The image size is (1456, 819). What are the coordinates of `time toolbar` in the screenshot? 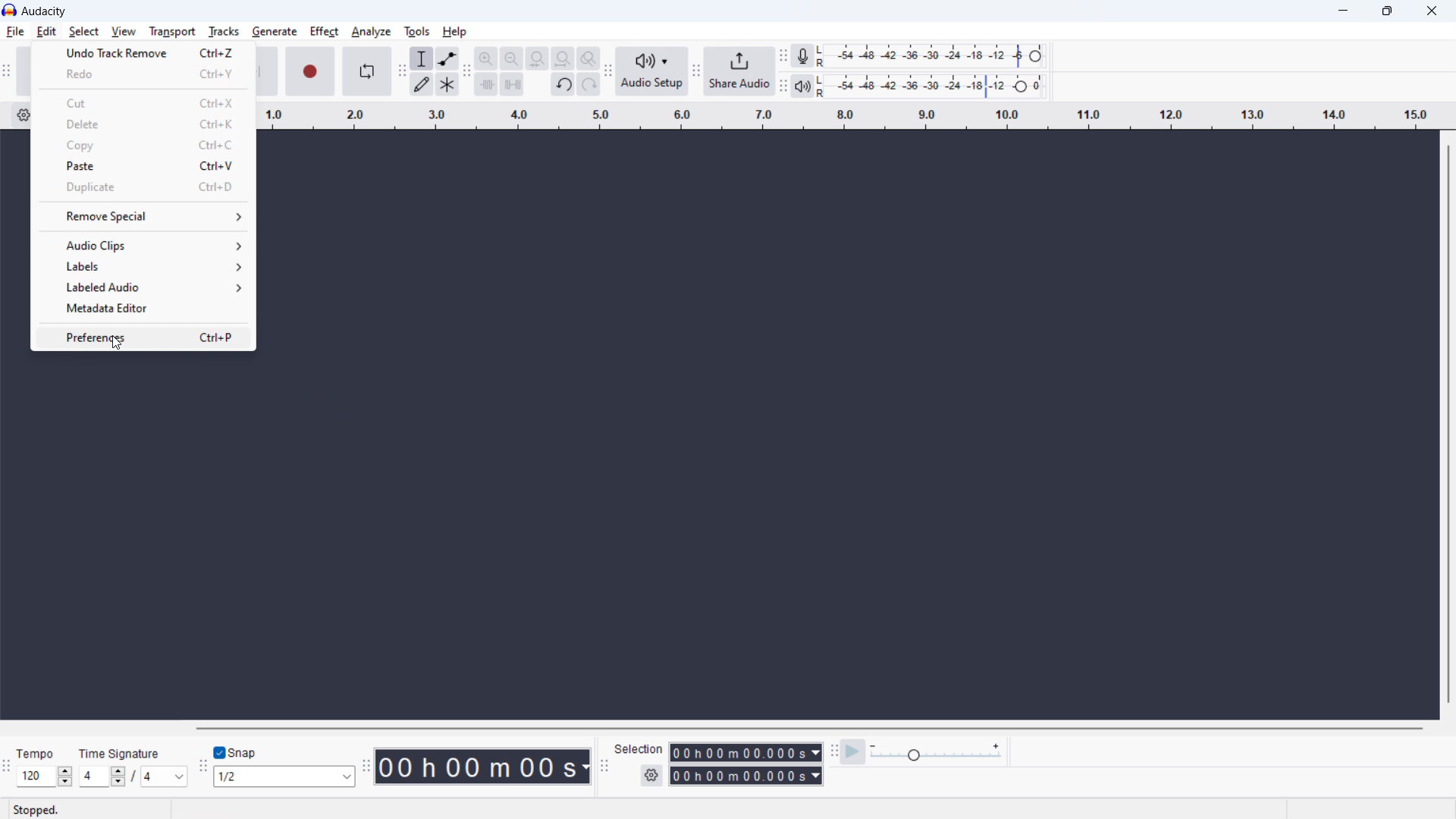 It's located at (366, 767).